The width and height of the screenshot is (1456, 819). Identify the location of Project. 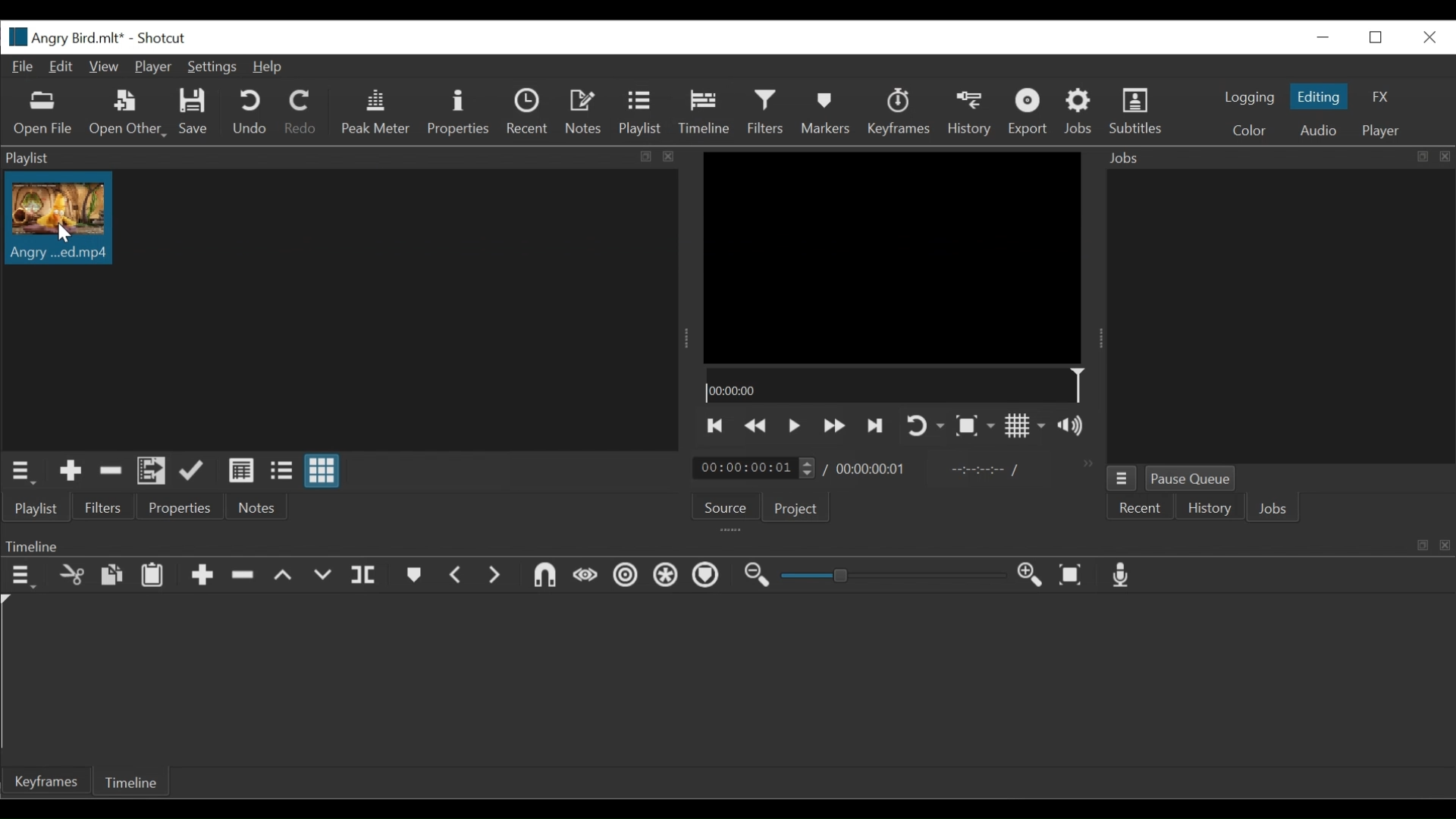
(797, 510).